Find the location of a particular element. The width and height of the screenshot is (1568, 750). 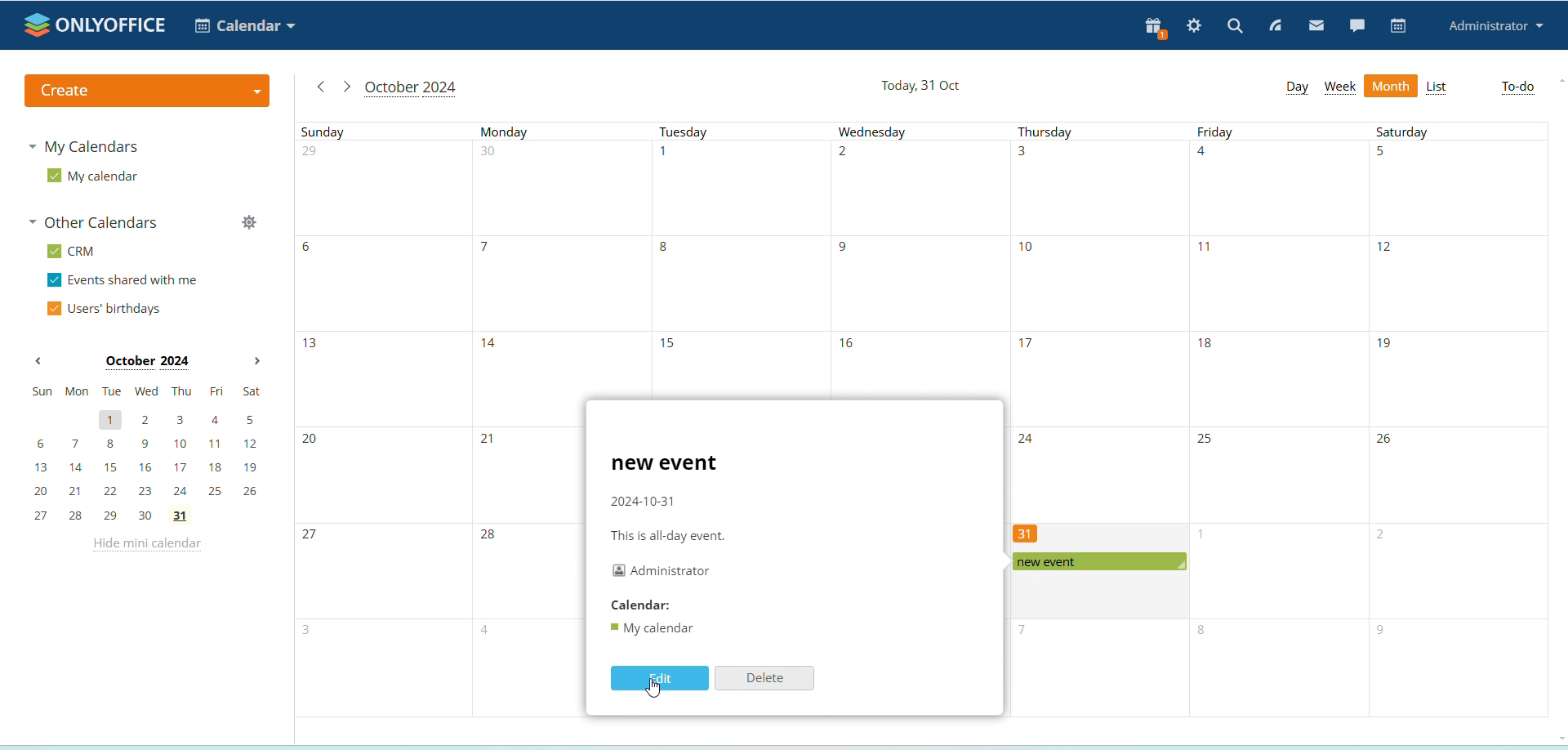

Friday is located at coordinates (1281, 421).